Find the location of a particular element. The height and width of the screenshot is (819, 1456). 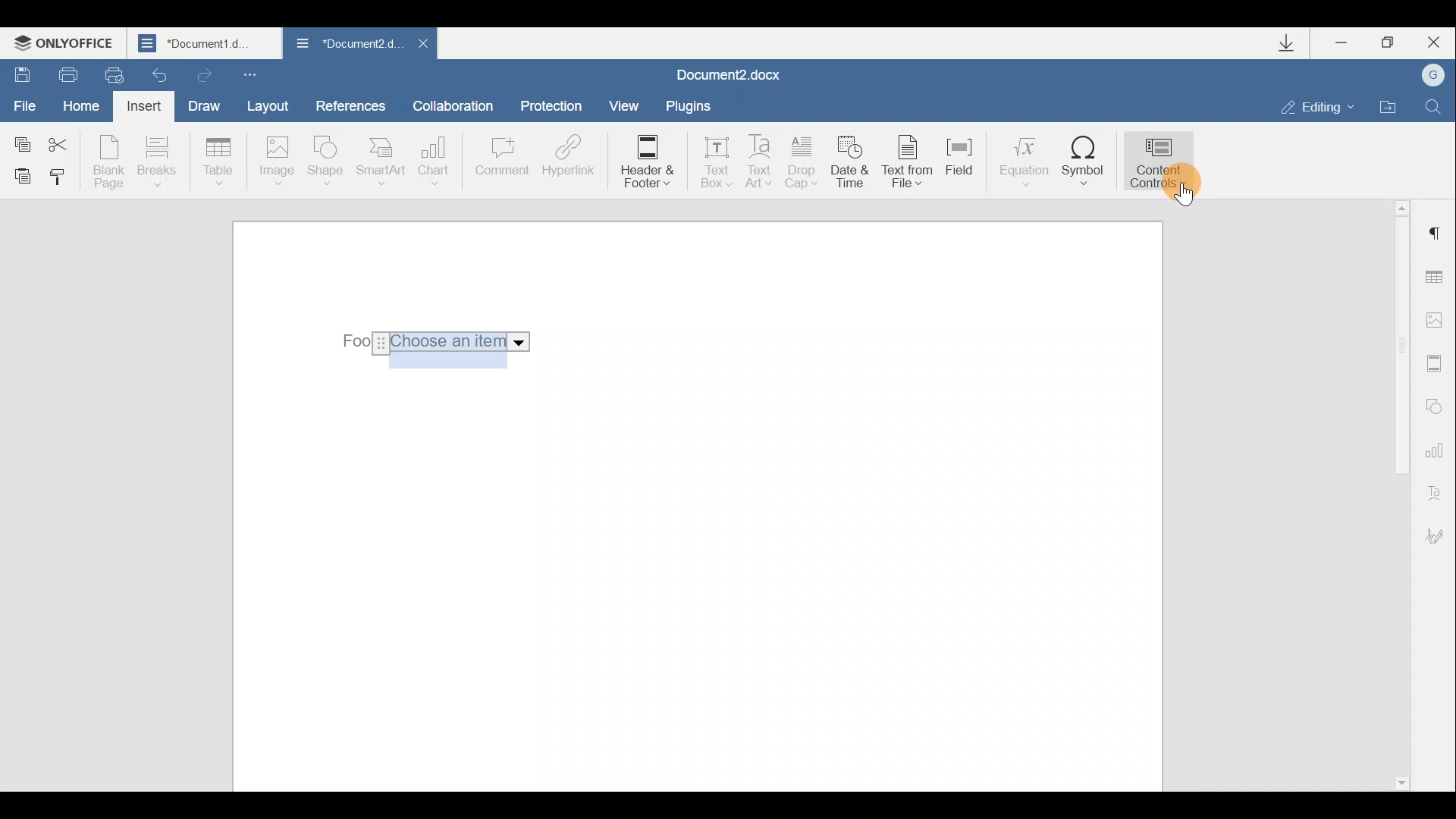

Document1 d.. is located at coordinates (206, 42).